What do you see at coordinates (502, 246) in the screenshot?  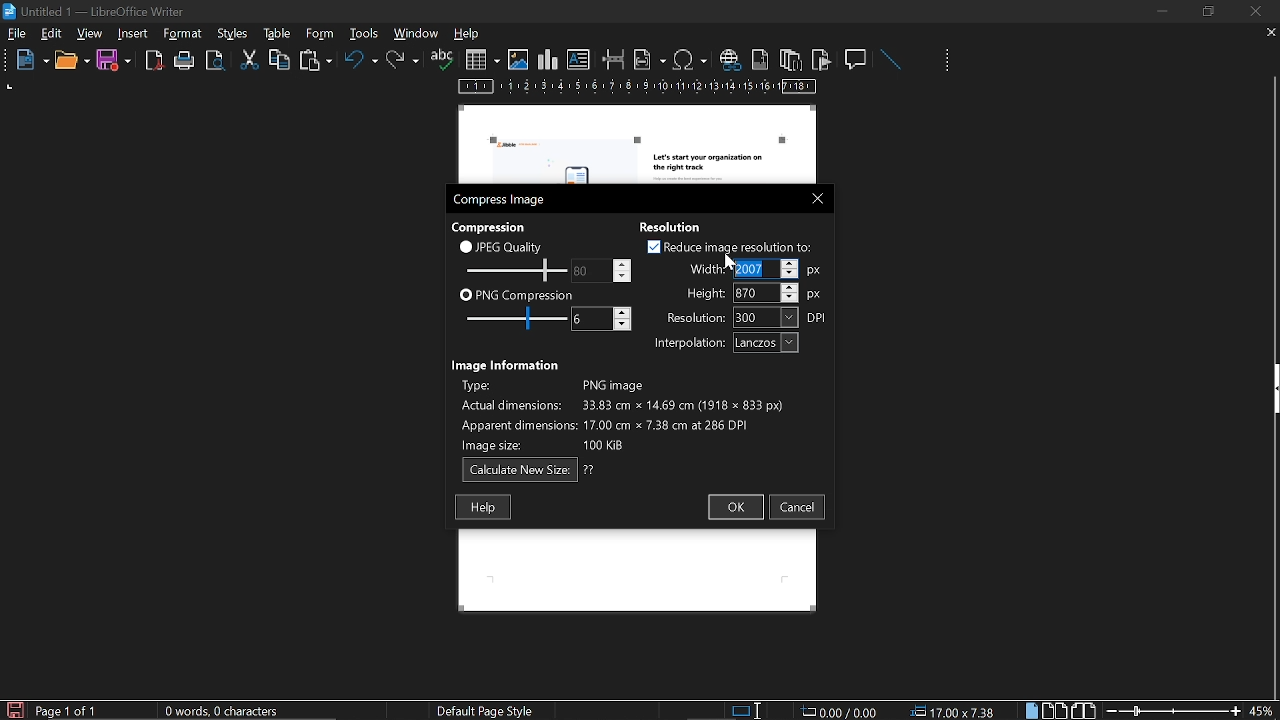 I see `jpeg quality` at bounding box center [502, 246].